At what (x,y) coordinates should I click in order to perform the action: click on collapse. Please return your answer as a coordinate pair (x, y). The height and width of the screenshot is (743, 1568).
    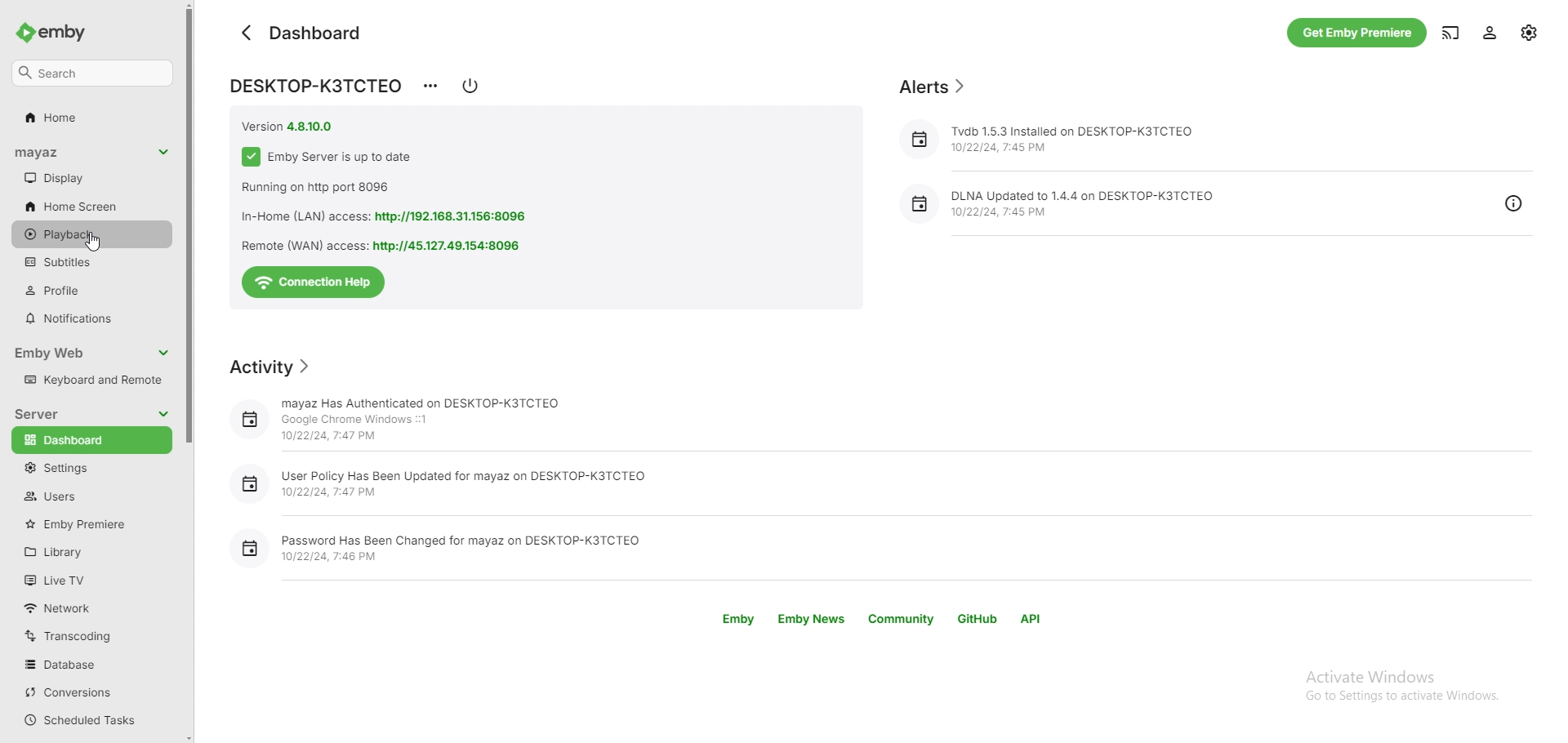
    Looking at the image, I should click on (163, 413).